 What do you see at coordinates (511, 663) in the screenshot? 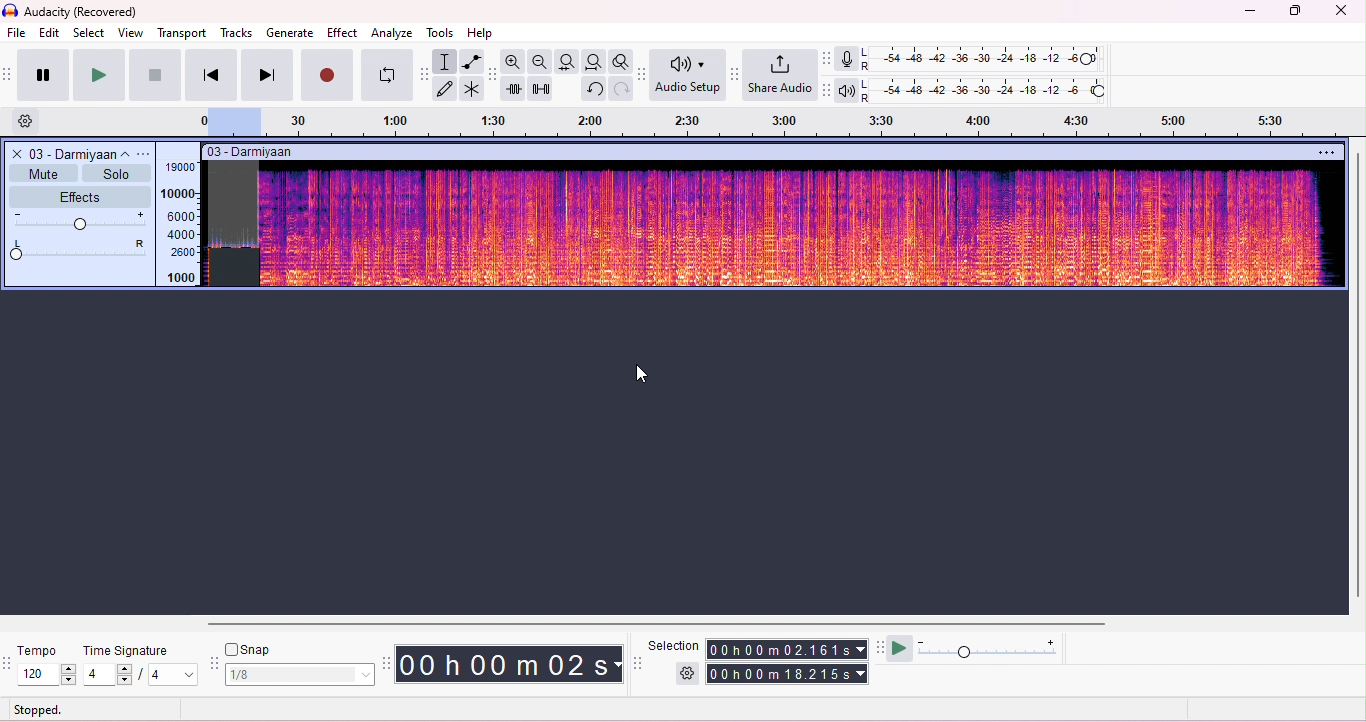
I see `audacity time` at bounding box center [511, 663].